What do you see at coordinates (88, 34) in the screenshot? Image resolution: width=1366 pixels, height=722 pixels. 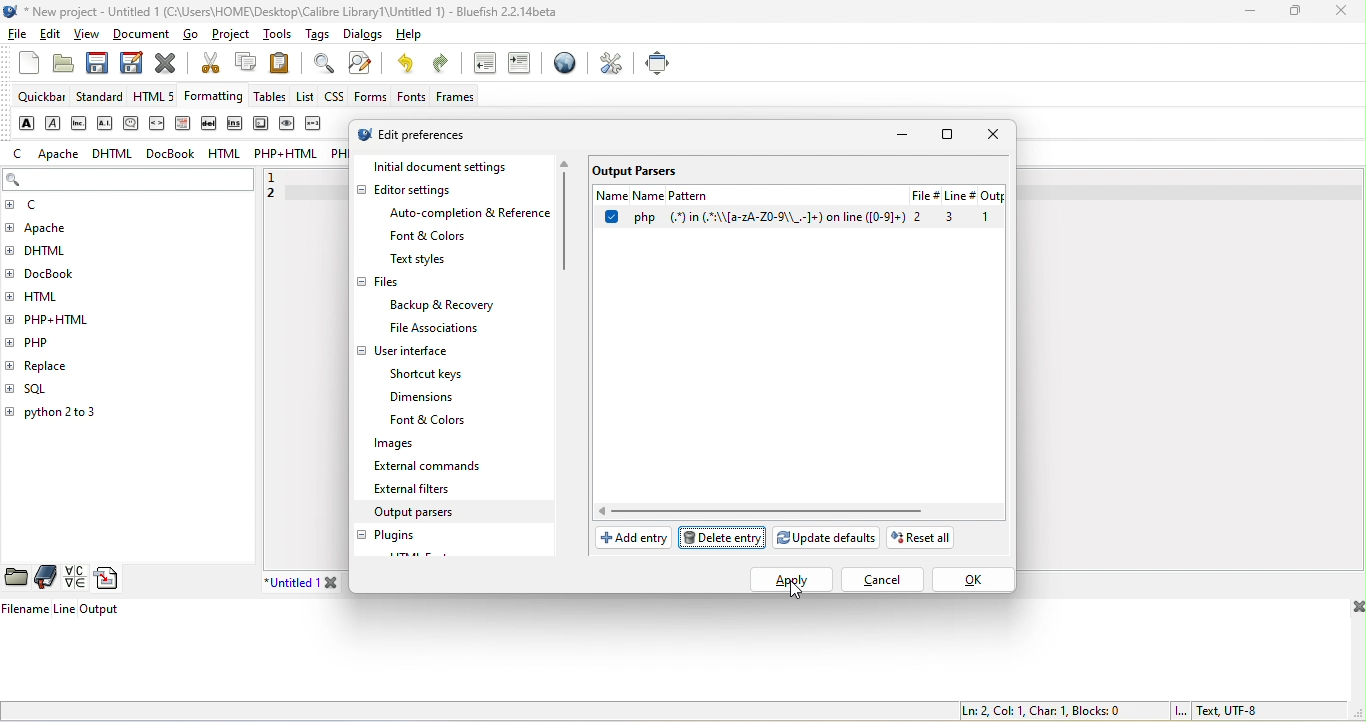 I see `view` at bounding box center [88, 34].